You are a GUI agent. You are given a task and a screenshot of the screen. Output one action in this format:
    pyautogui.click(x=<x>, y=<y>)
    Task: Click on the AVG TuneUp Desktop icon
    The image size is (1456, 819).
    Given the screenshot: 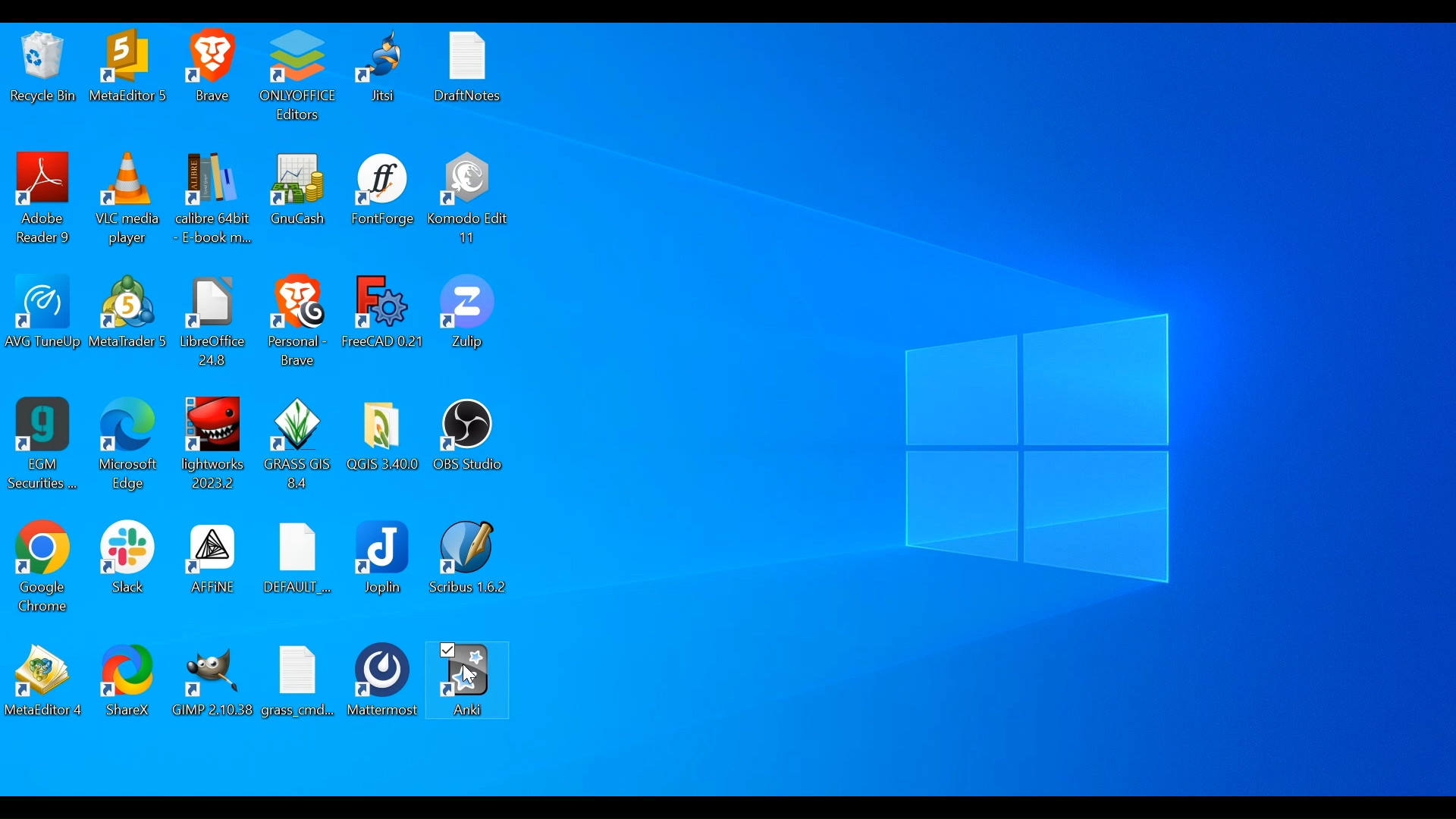 What is the action you would take?
    pyautogui.click(x=43, y=312)
    